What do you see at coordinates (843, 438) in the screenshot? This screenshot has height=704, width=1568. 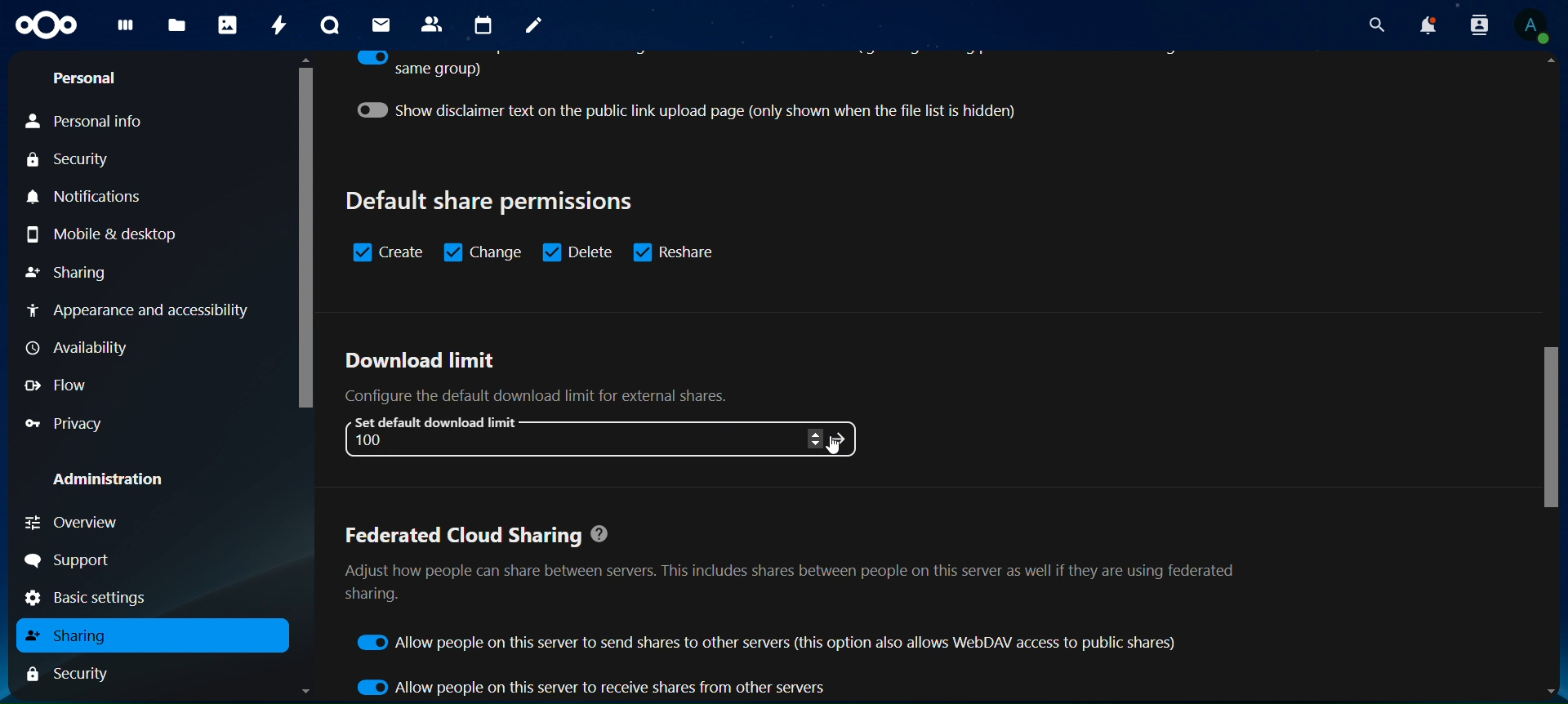 I see `icon` at bounding box center [843, 438].